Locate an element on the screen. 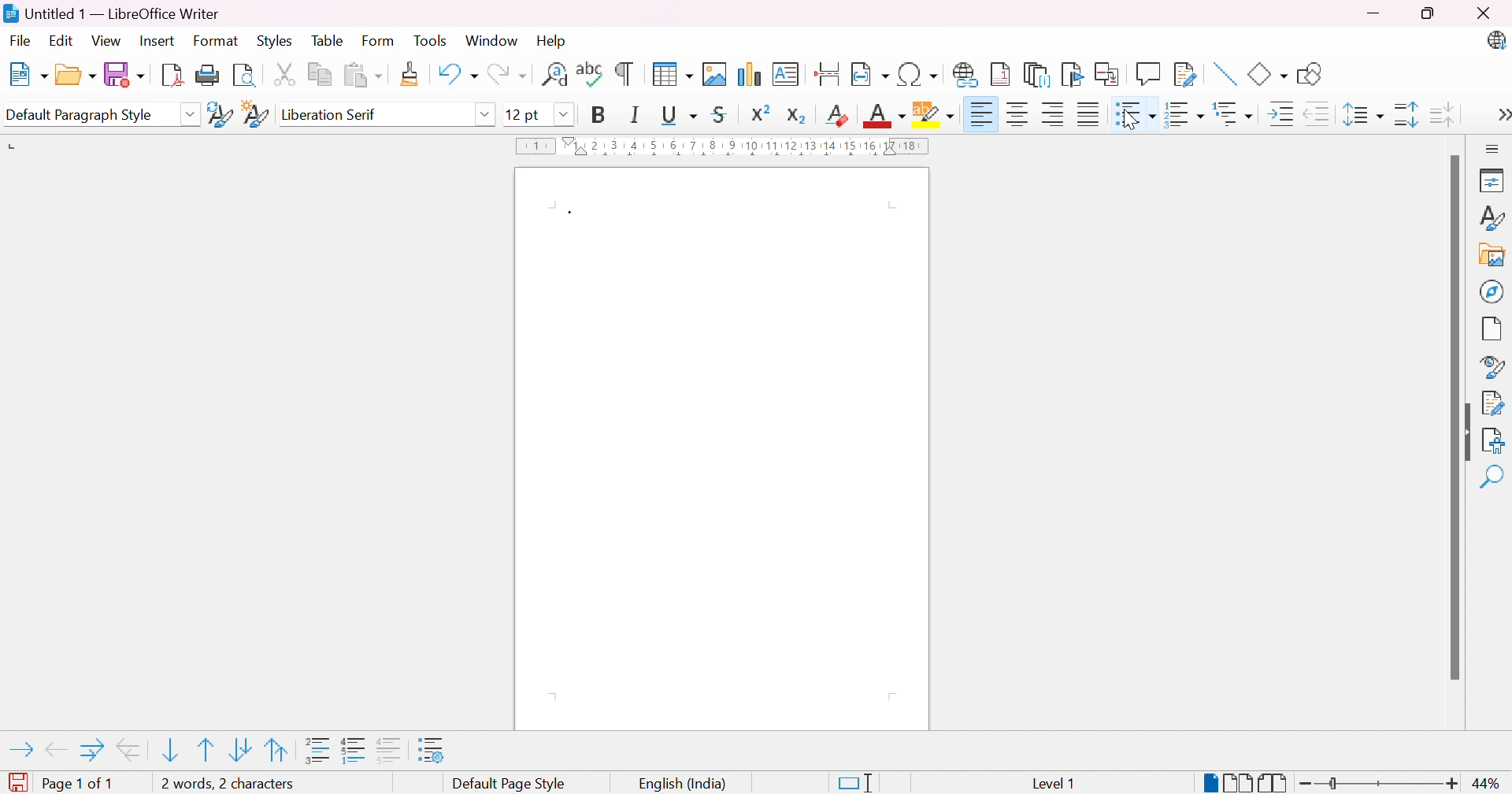 This screenshot has width=1512, height=794. Insert special characters is located at coordinates (917, 75).